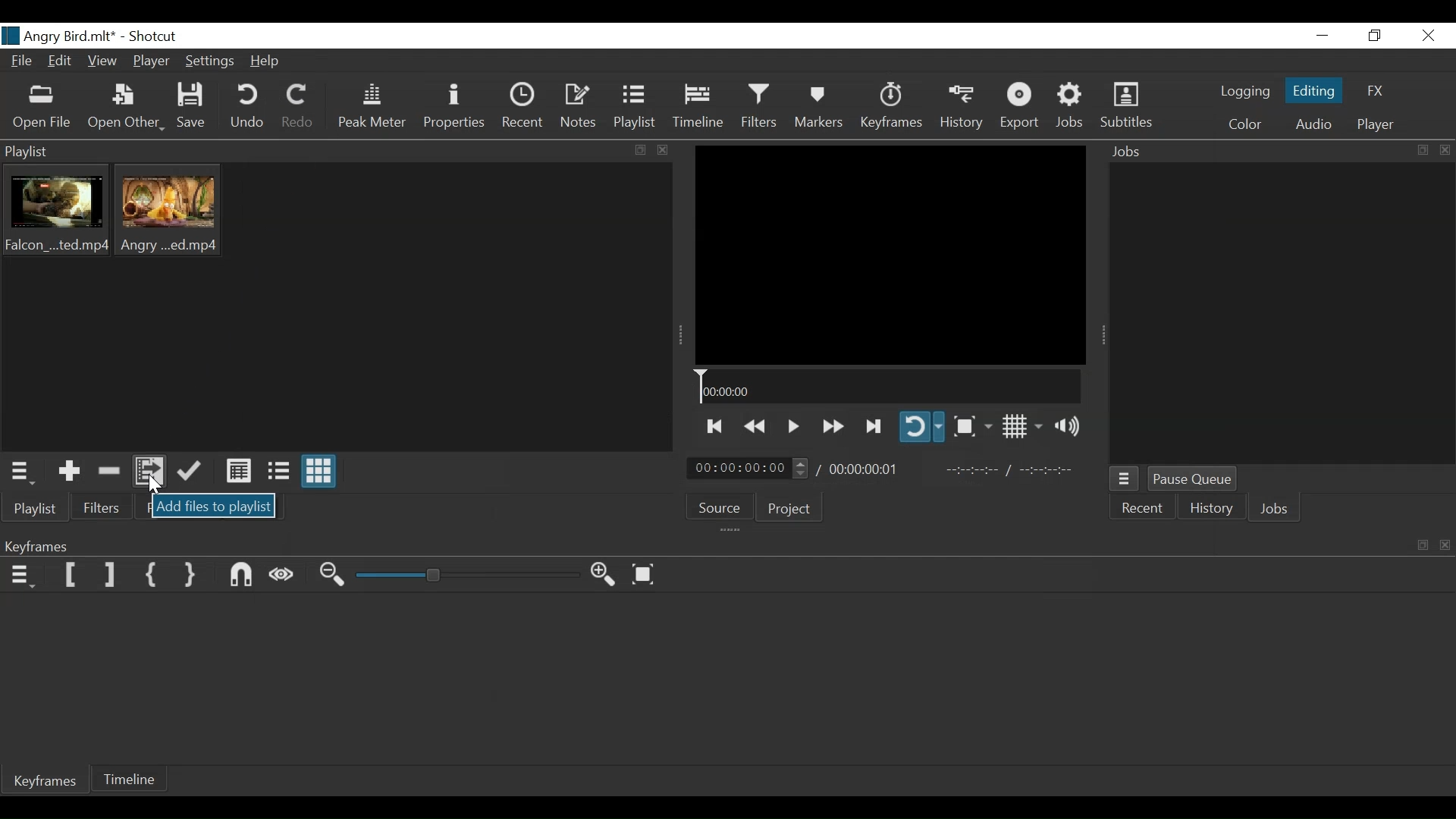 The width and height of the screenshot is (1456, 819). I want to click on Zoom Keyframe in, so click(606, 575).